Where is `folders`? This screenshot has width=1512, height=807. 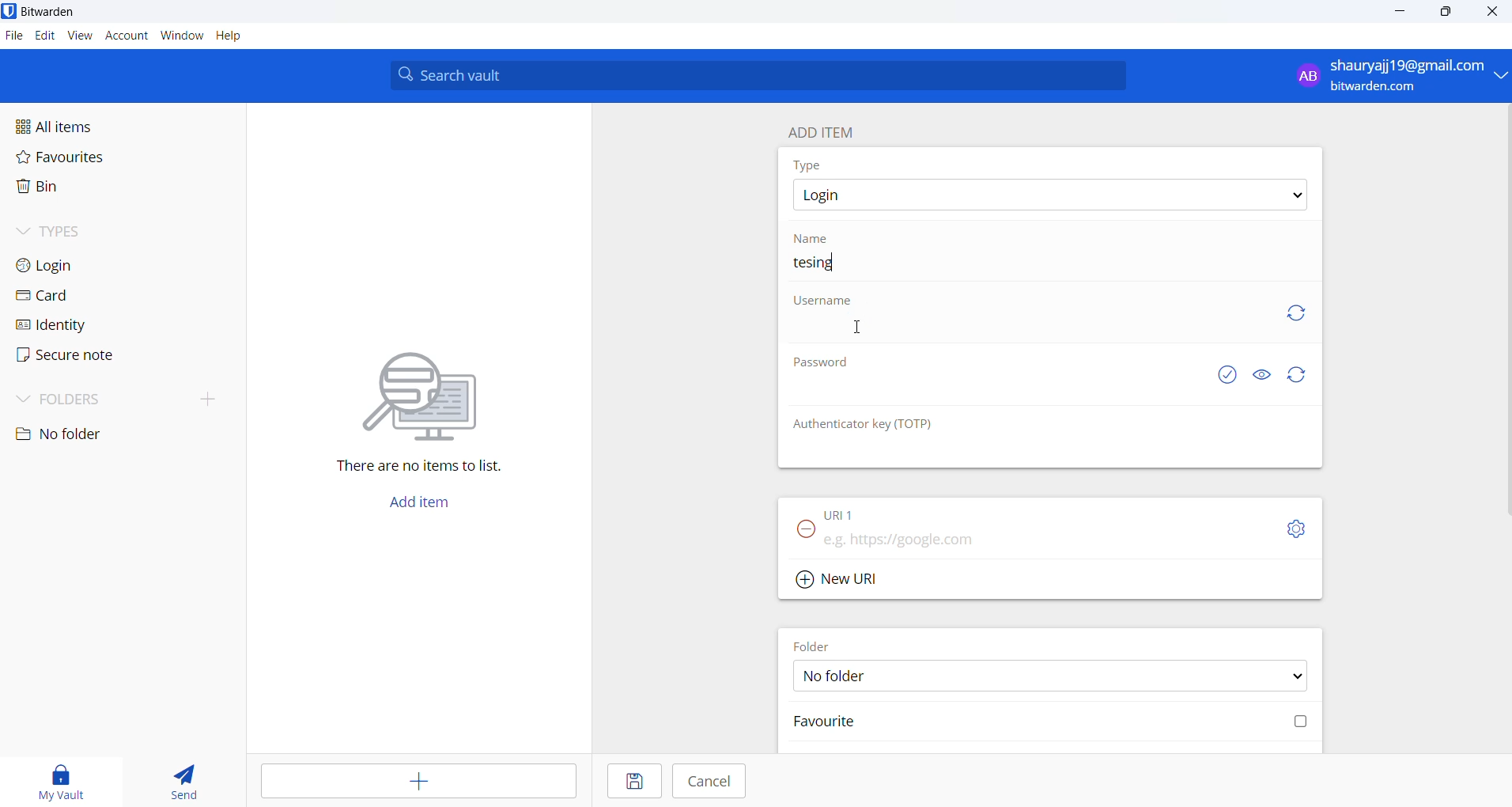
folders is located at coordinates (95, 401).